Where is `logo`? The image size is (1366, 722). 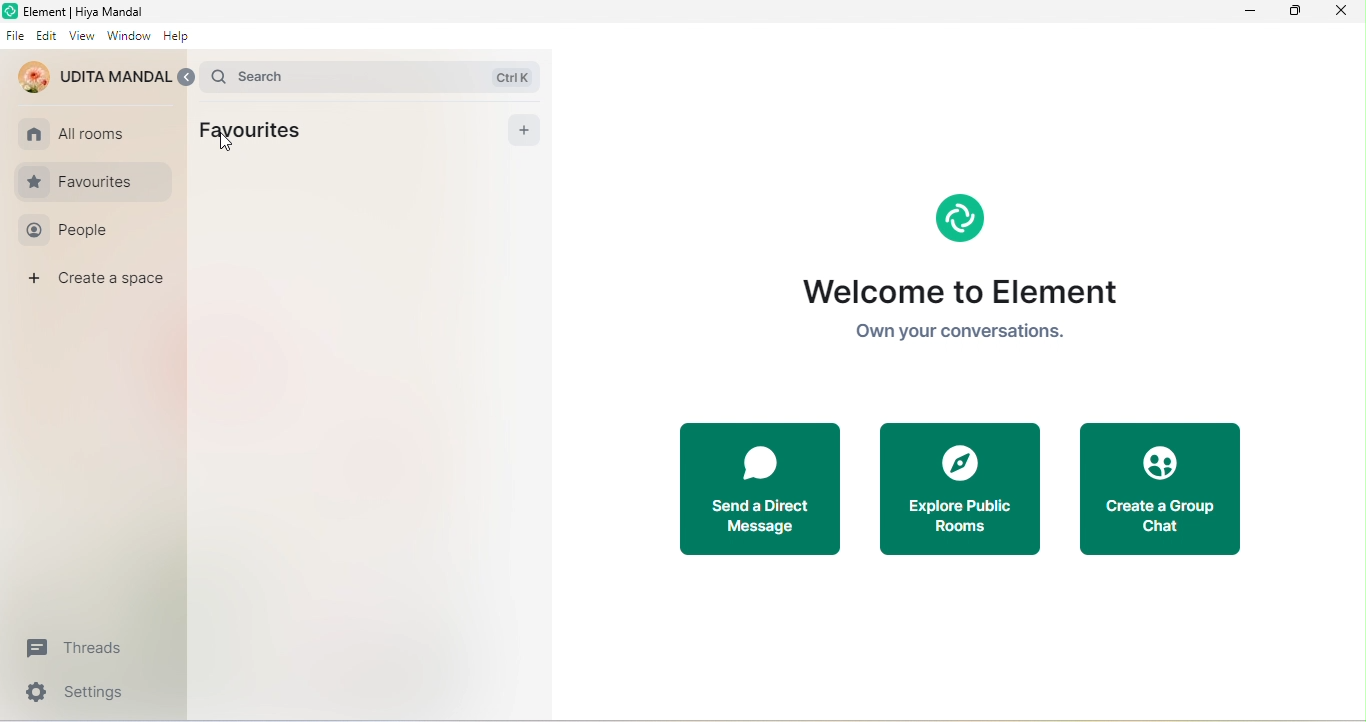 logo is located at coordinates (958, 215).